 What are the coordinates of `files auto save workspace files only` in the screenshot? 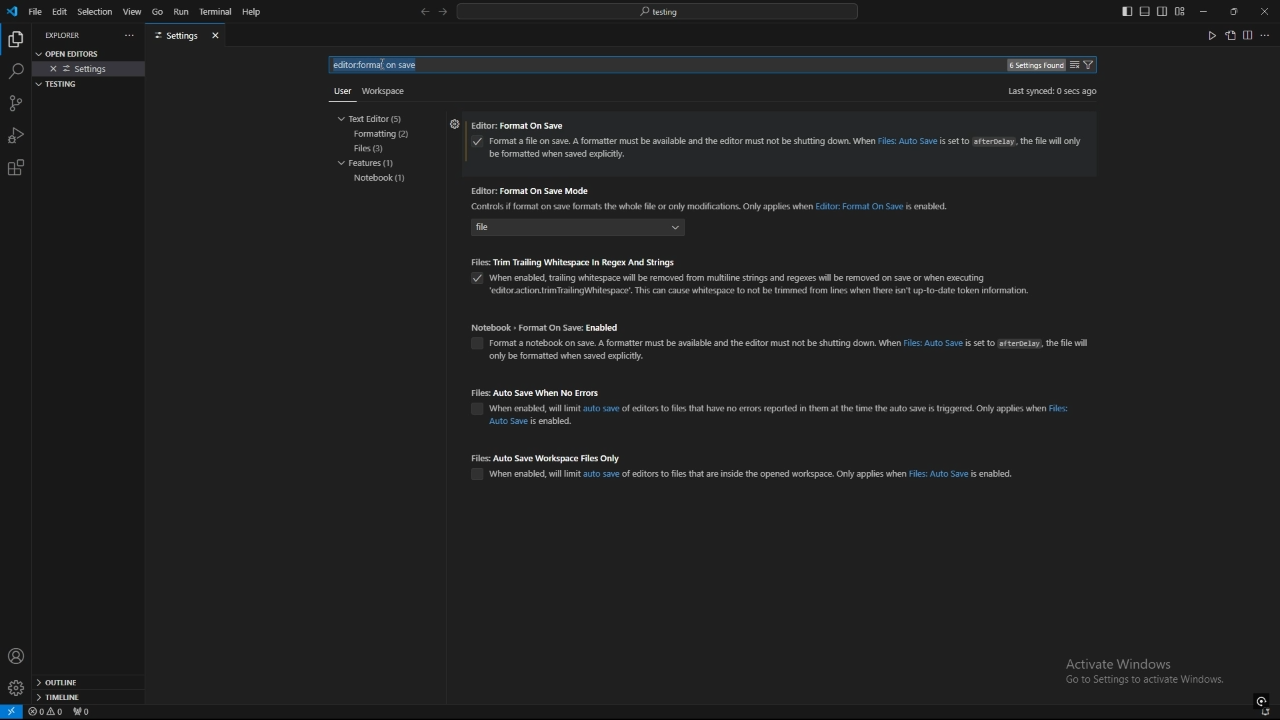 It's located at (748, 456).